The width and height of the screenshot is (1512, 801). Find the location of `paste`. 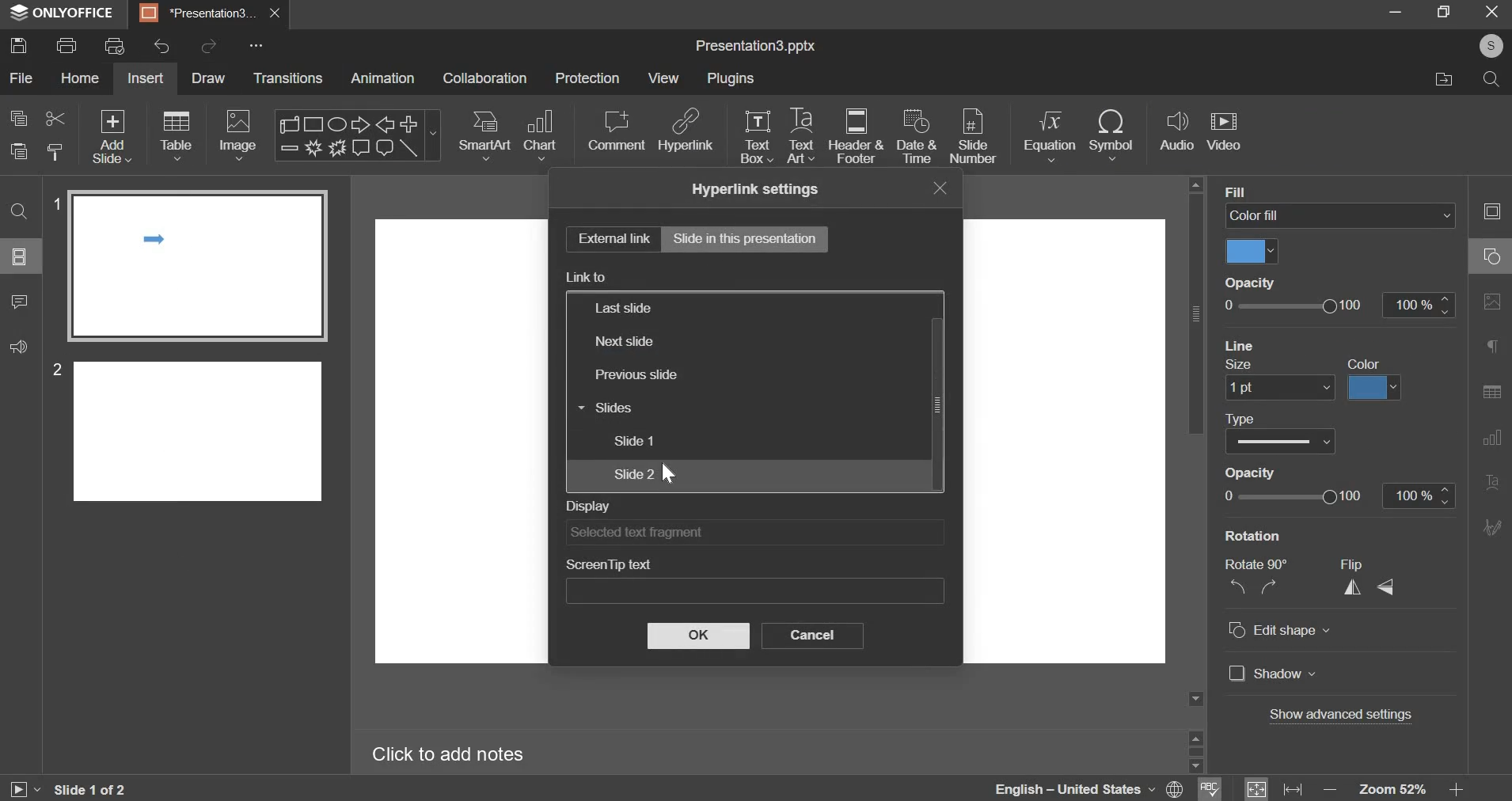

paste is located at coordinates (56, 150).